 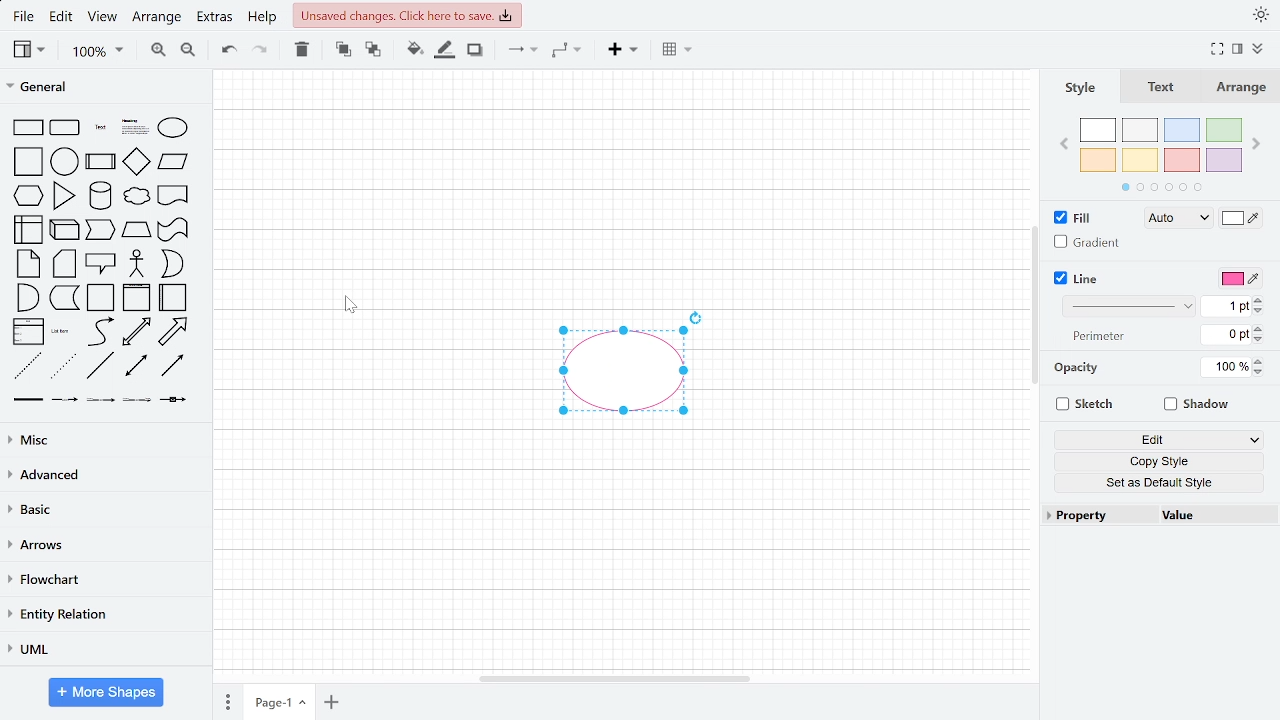 I want to click on link, so click(x=28, y=400).